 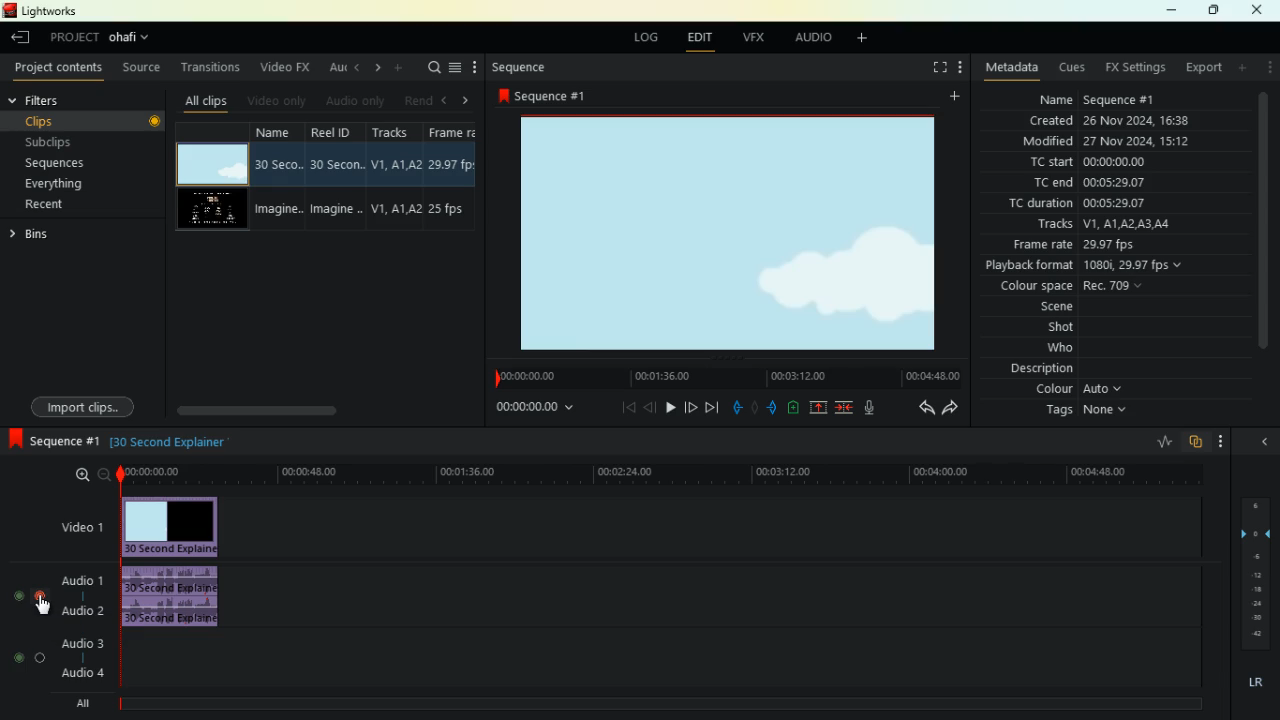 I want to click on fps, so click(x=452, y=177).